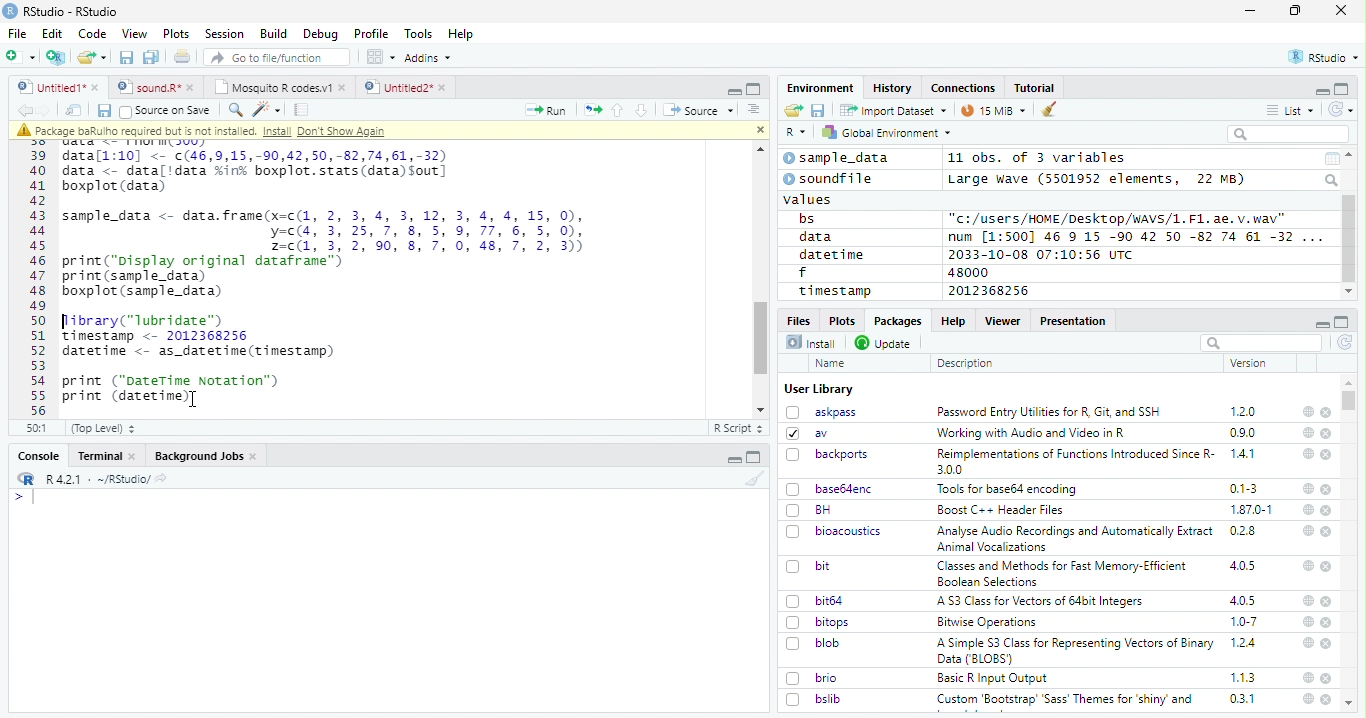 Image resolution: width=1366 pixels, height=718 pixels. What do you see at coordinates (1328, 644) in the screenshot?
I see `close` at bounding box center [1328, 644].